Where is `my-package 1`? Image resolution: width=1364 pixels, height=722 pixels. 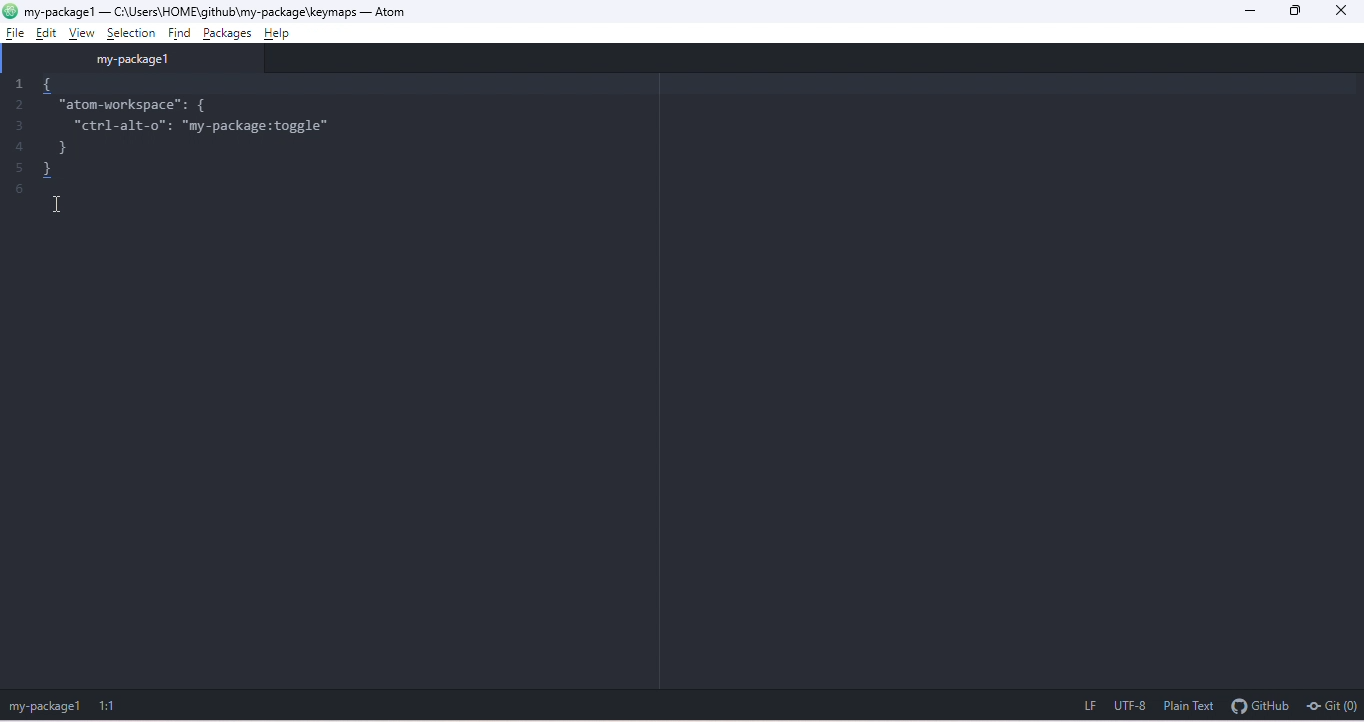
my-package 1 is located at coordinates (42, 706).